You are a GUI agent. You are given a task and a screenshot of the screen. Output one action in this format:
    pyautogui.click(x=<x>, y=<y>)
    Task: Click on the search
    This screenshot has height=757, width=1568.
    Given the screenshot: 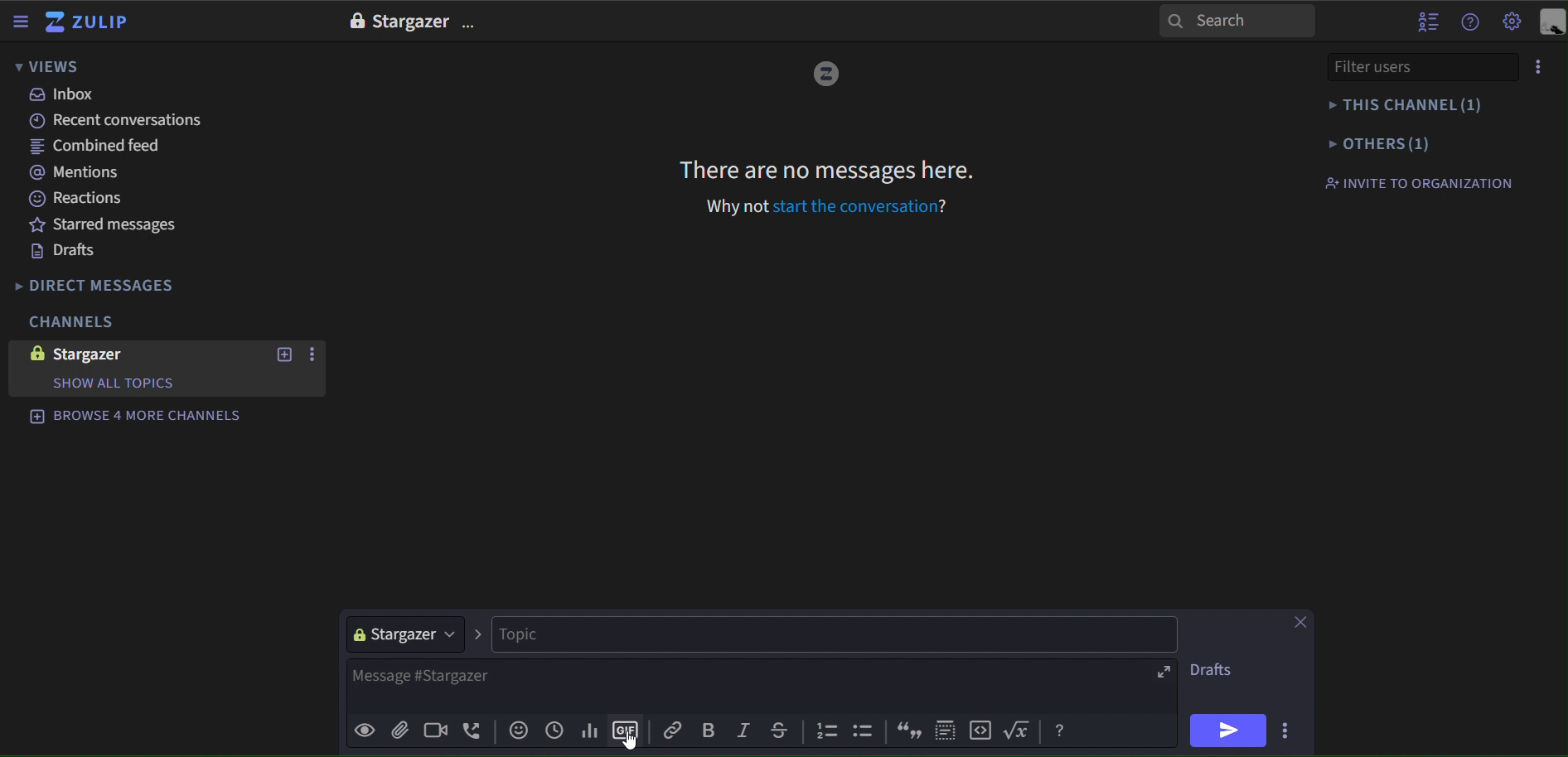 What is the action you would take?
    pyautogui.click(x=1237, y=20)
    